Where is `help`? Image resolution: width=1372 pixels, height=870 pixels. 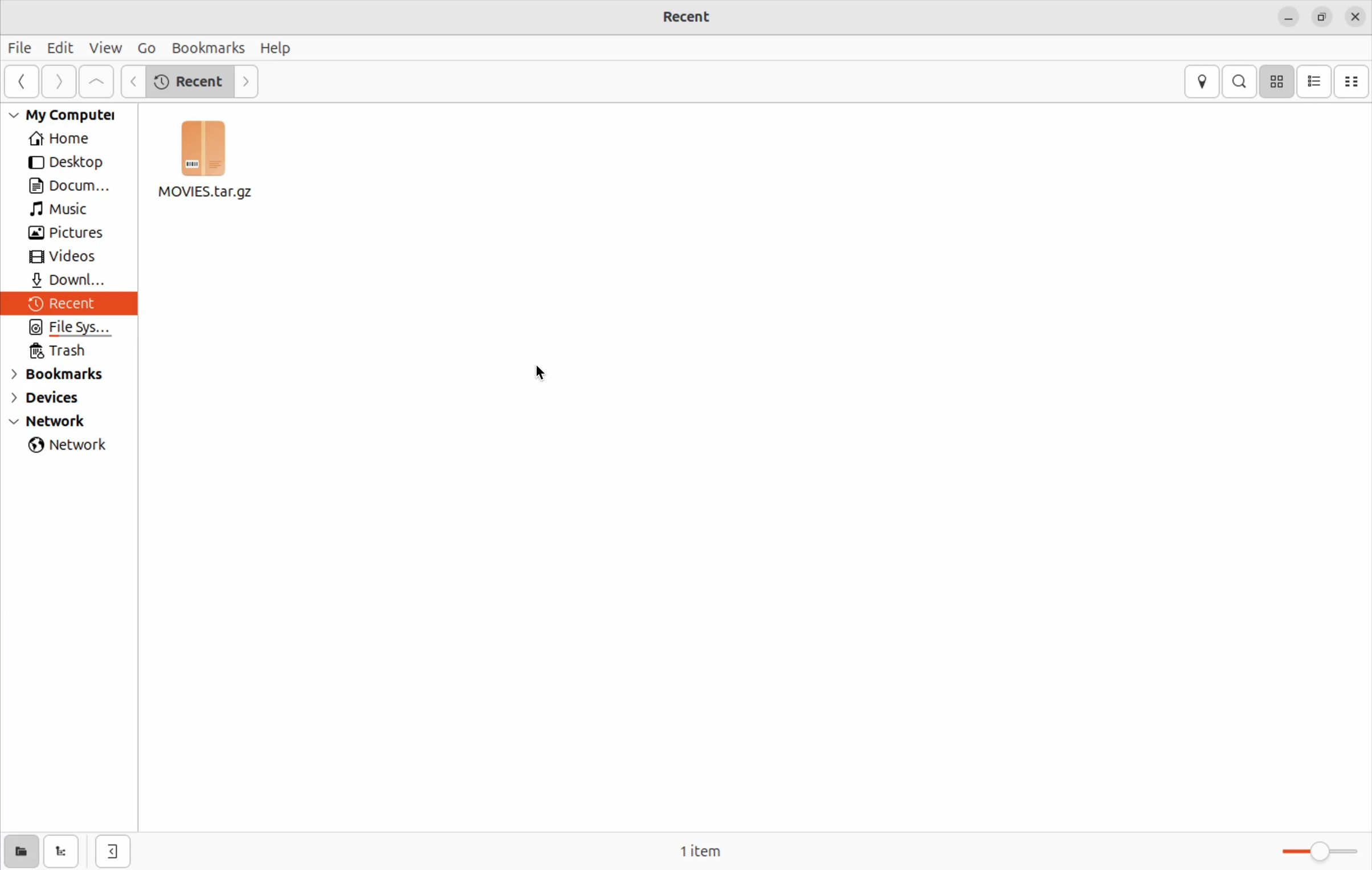
help is located at coordinates (277, 48).